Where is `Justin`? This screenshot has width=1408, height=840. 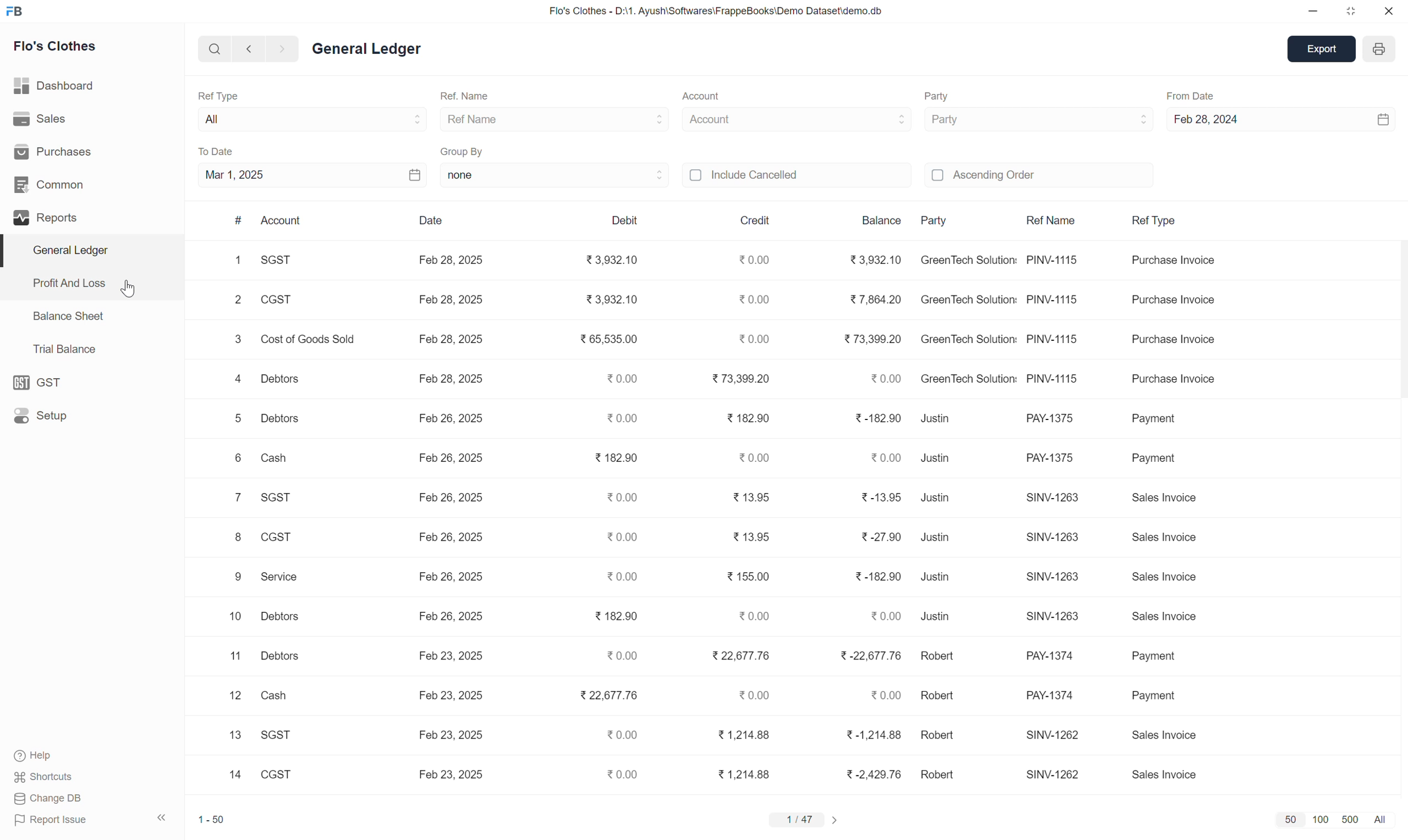
Justin is located at coordinates (936, 499).